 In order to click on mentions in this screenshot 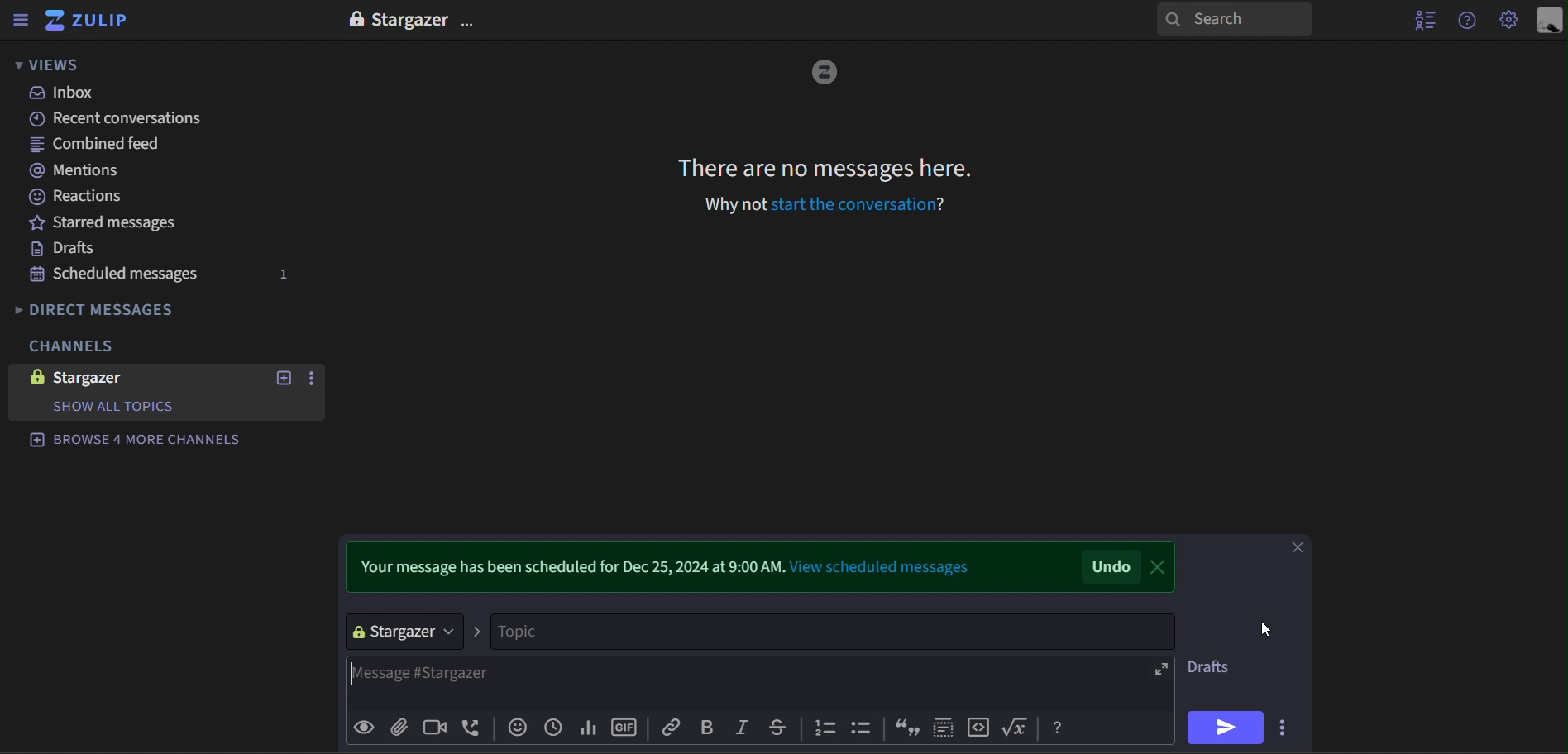, I will do `click(118, 172)`.